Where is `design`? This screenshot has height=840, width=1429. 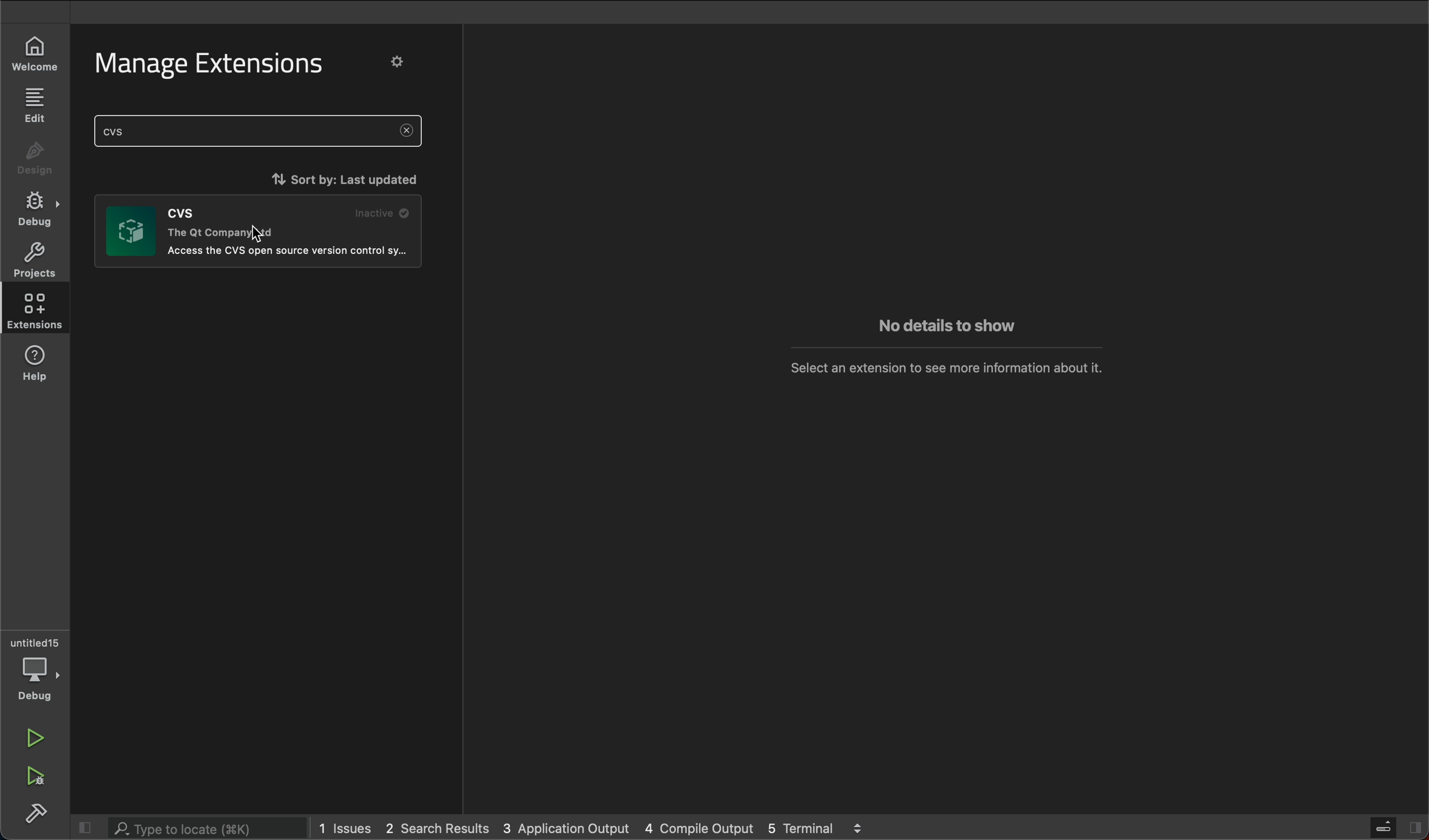
design is located at coordinates (34, 161).